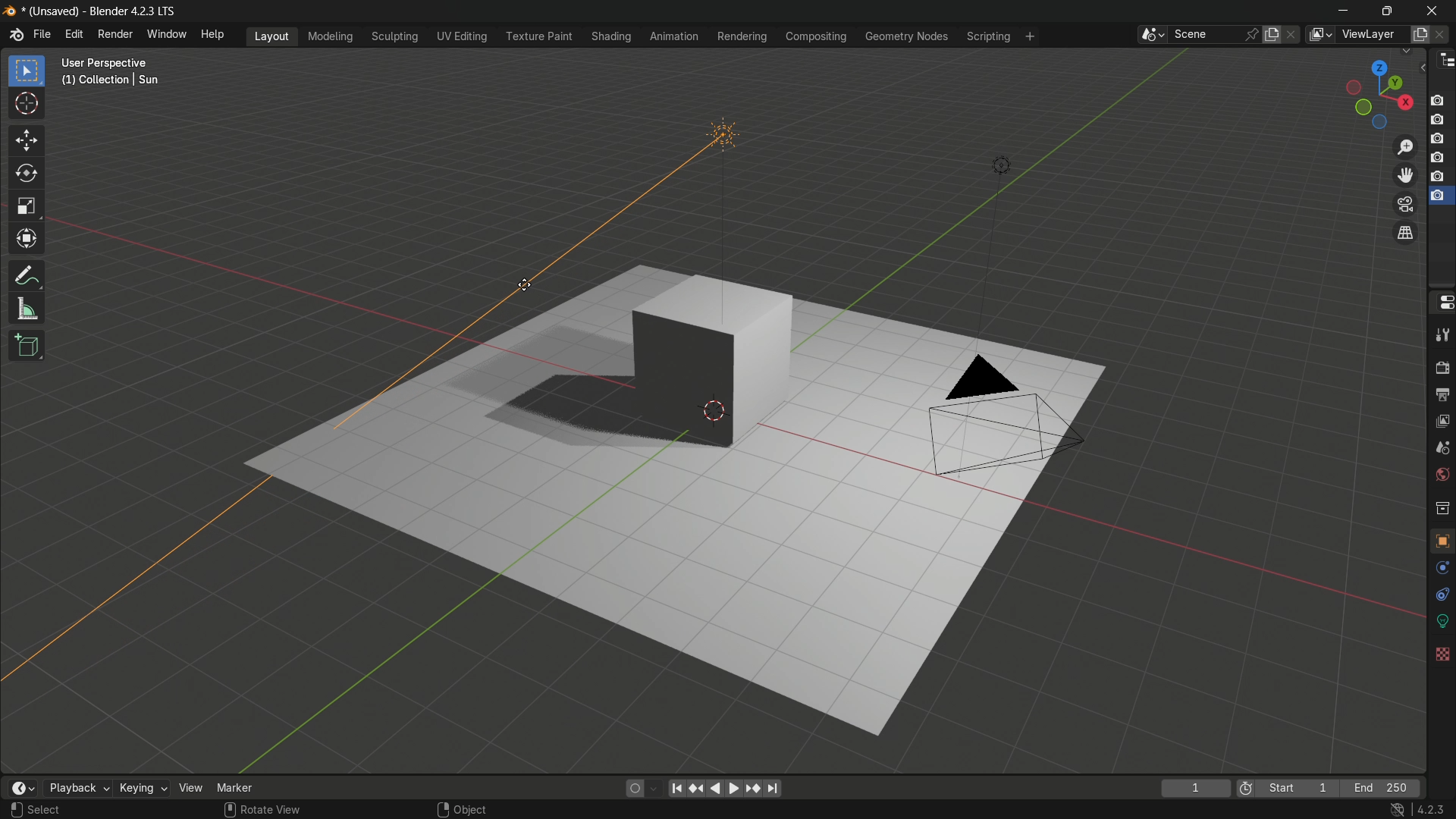 The image size is (1456, 819). I want to click on scripting, so click(988, 36).